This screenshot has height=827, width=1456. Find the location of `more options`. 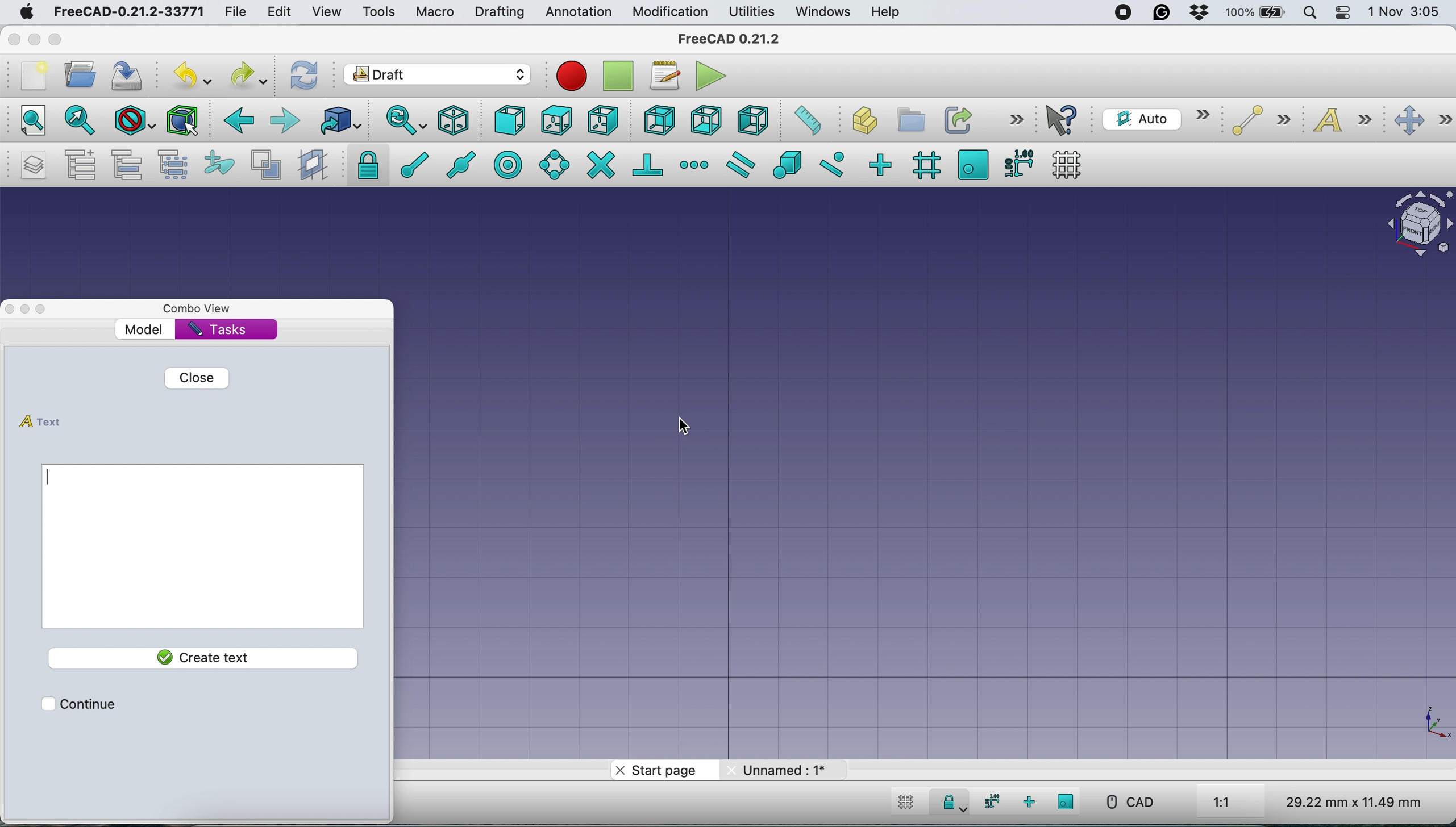

more options is located at coordinates (1018, 119).